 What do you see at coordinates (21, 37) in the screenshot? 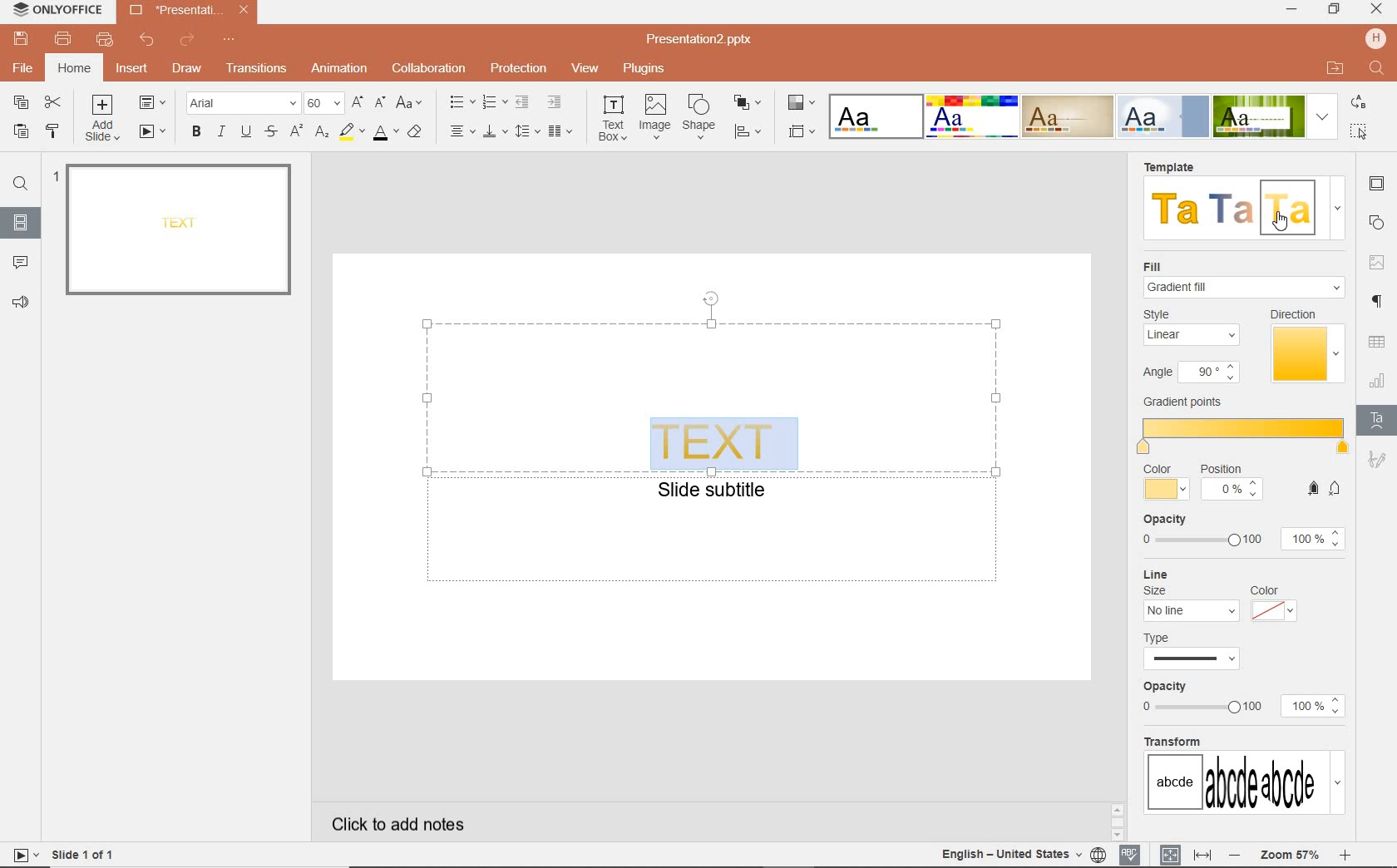
I see `SAVE` at bounding box center [21, 37].